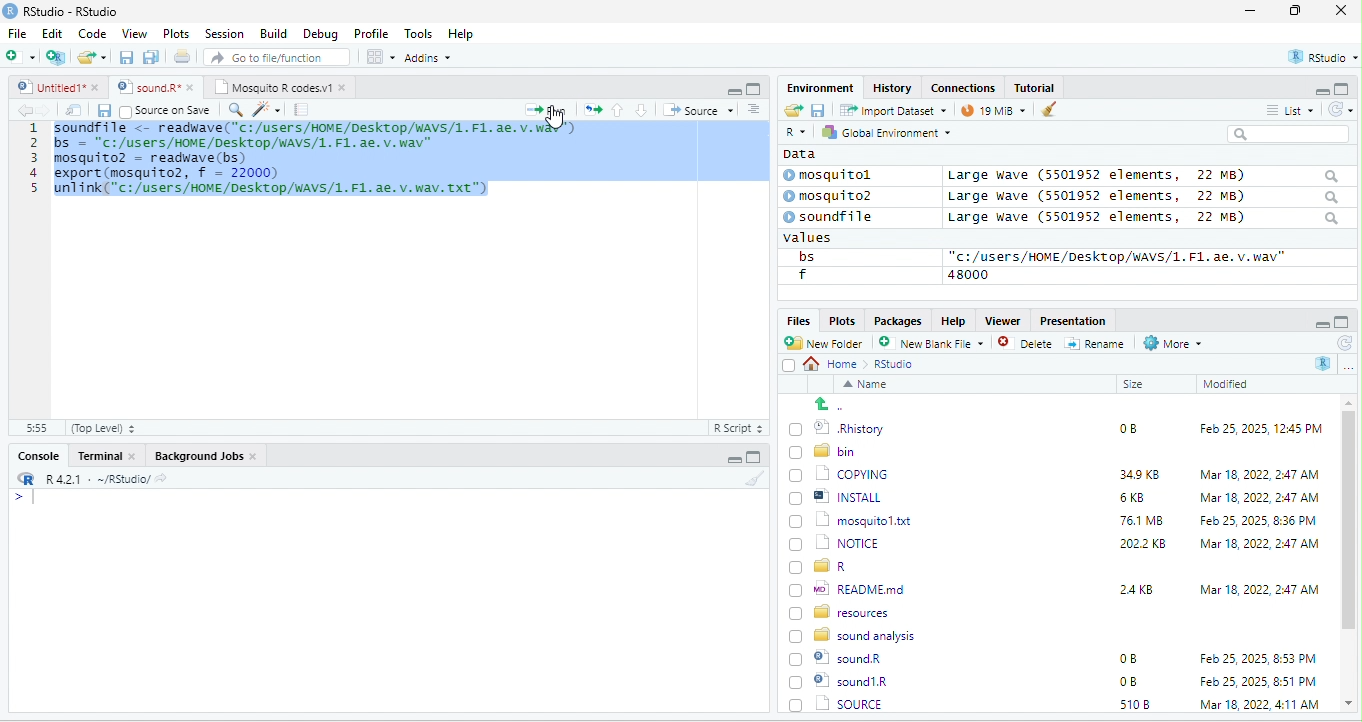 This screenshot has width=1362, height=722. What do you see at coordinates (953, 319) in the screenshot?
I see `Help` at bounding box center [953, 319].